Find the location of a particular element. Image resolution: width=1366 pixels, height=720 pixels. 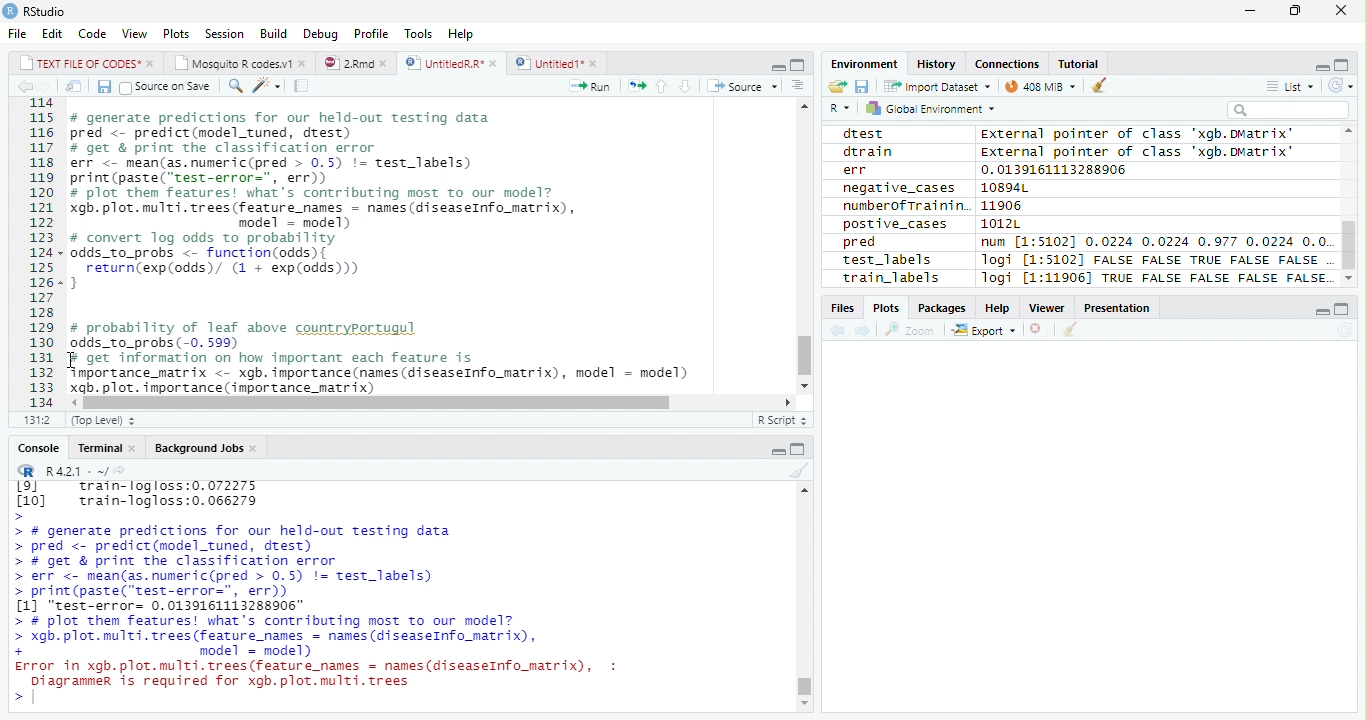

Global environment is located at coordinates (930, 109).